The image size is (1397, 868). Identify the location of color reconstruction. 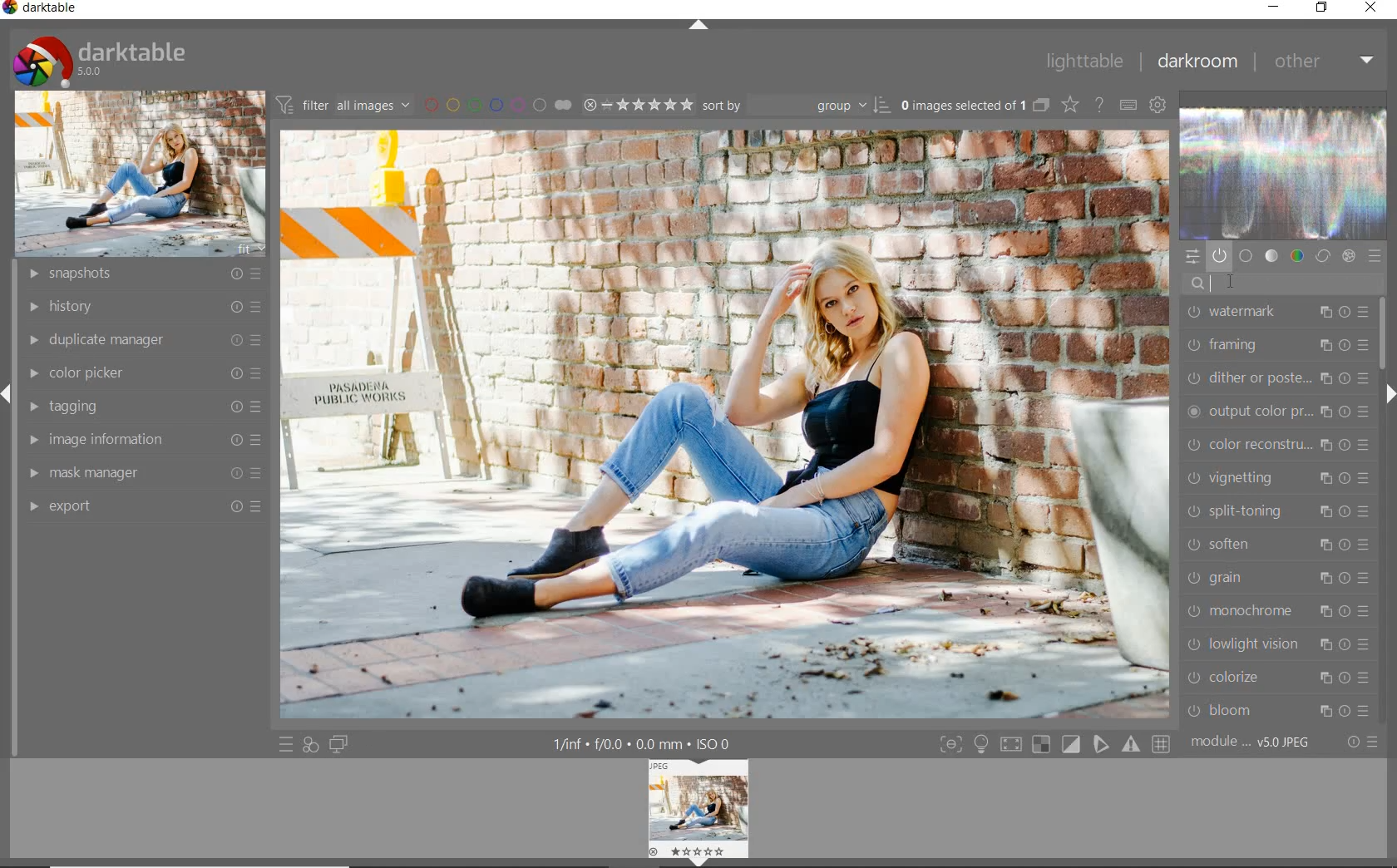
(1275, 446).